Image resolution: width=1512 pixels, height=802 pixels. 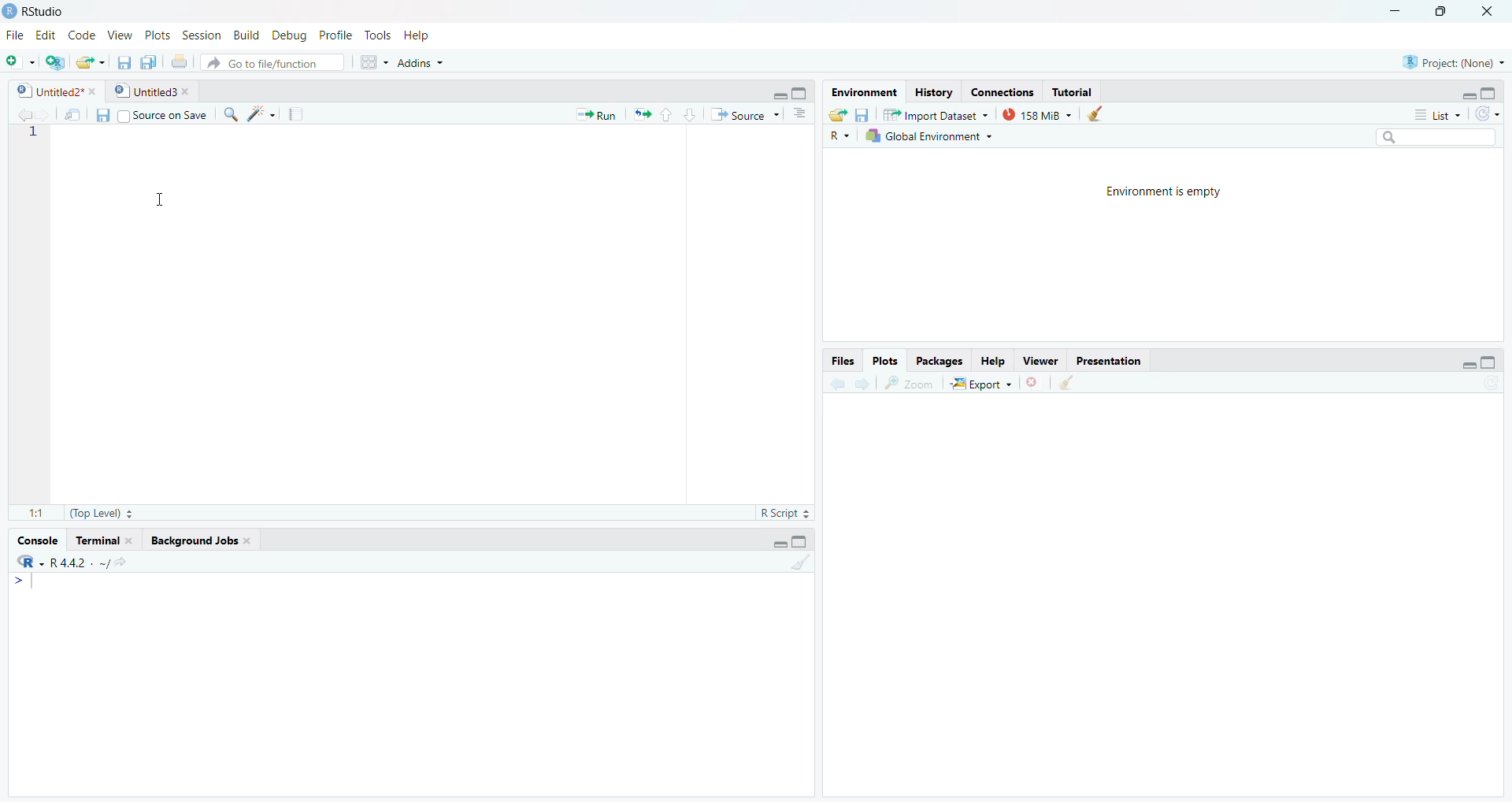 I want to click on 156 mb, so click(x=1038, y=114).